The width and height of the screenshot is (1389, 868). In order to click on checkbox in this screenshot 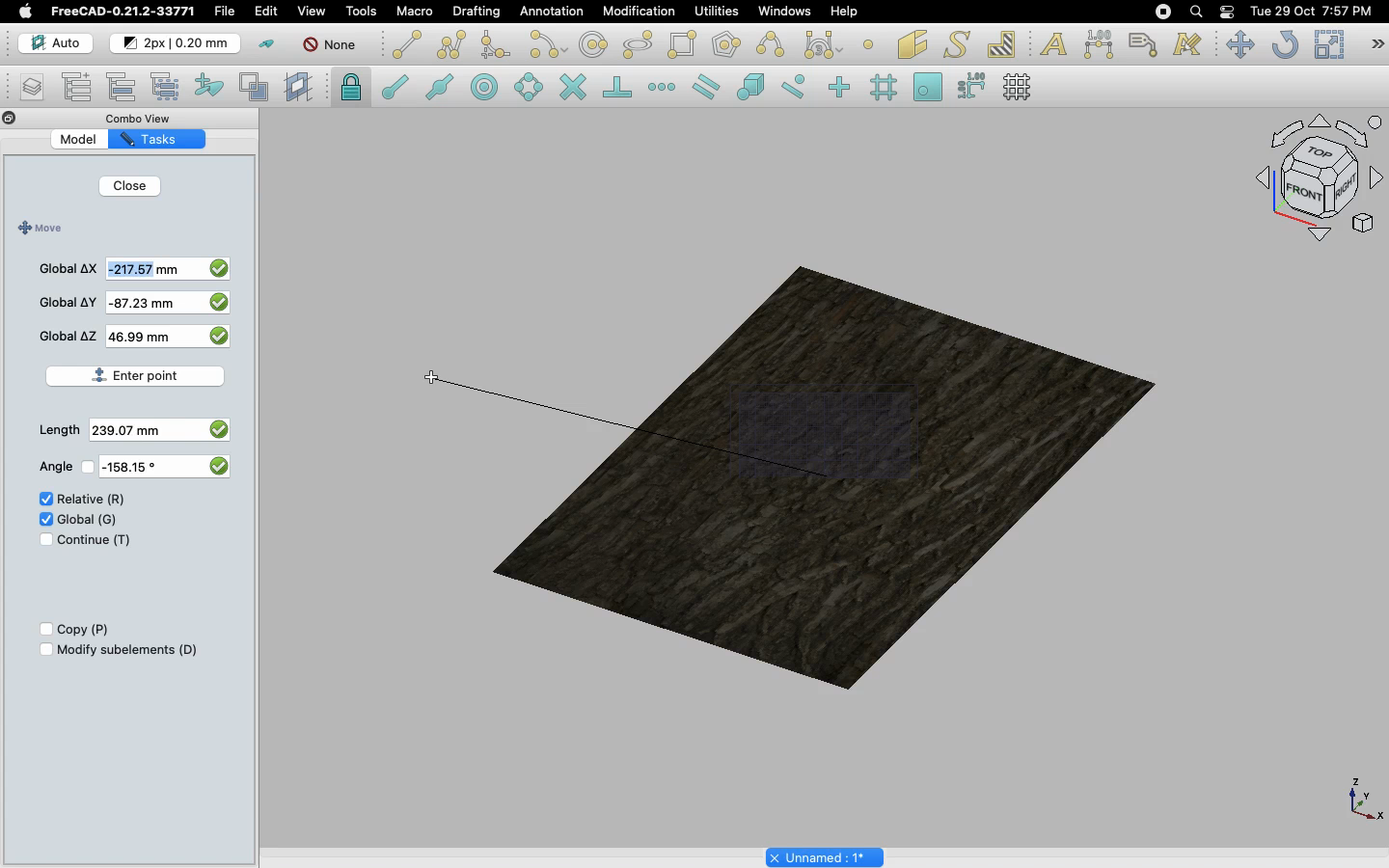, I will do `click(221, 266)`.